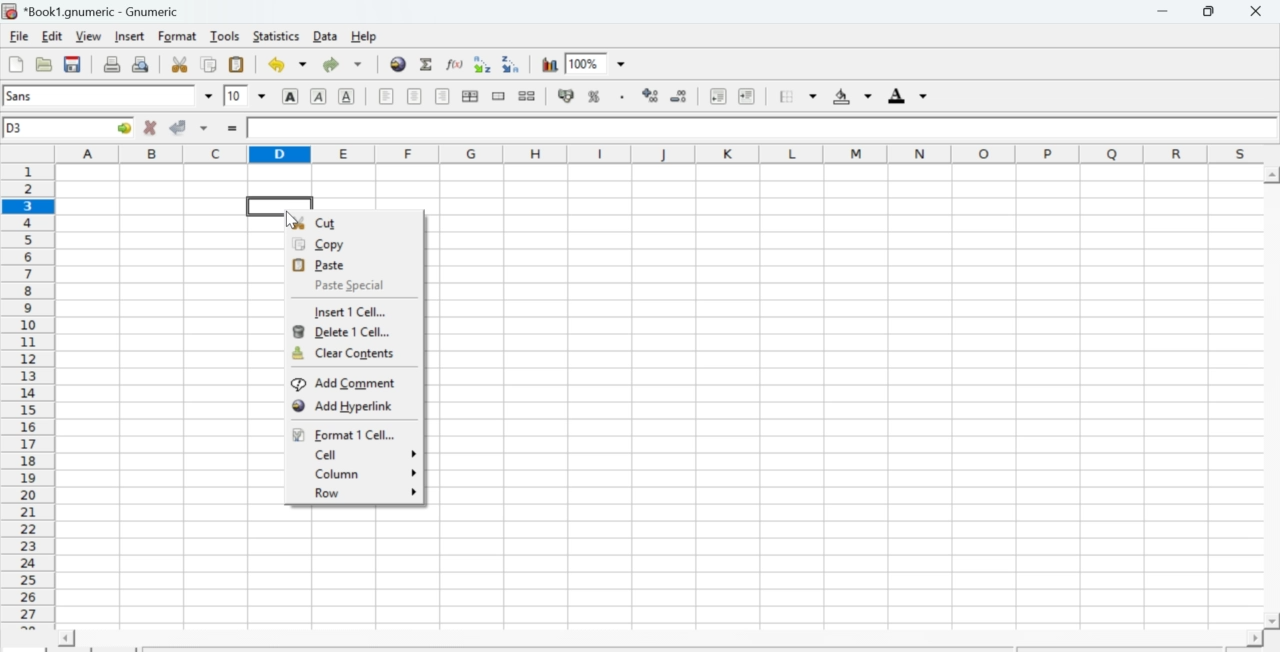  I want to click on scroll right, so click(1254, 638).